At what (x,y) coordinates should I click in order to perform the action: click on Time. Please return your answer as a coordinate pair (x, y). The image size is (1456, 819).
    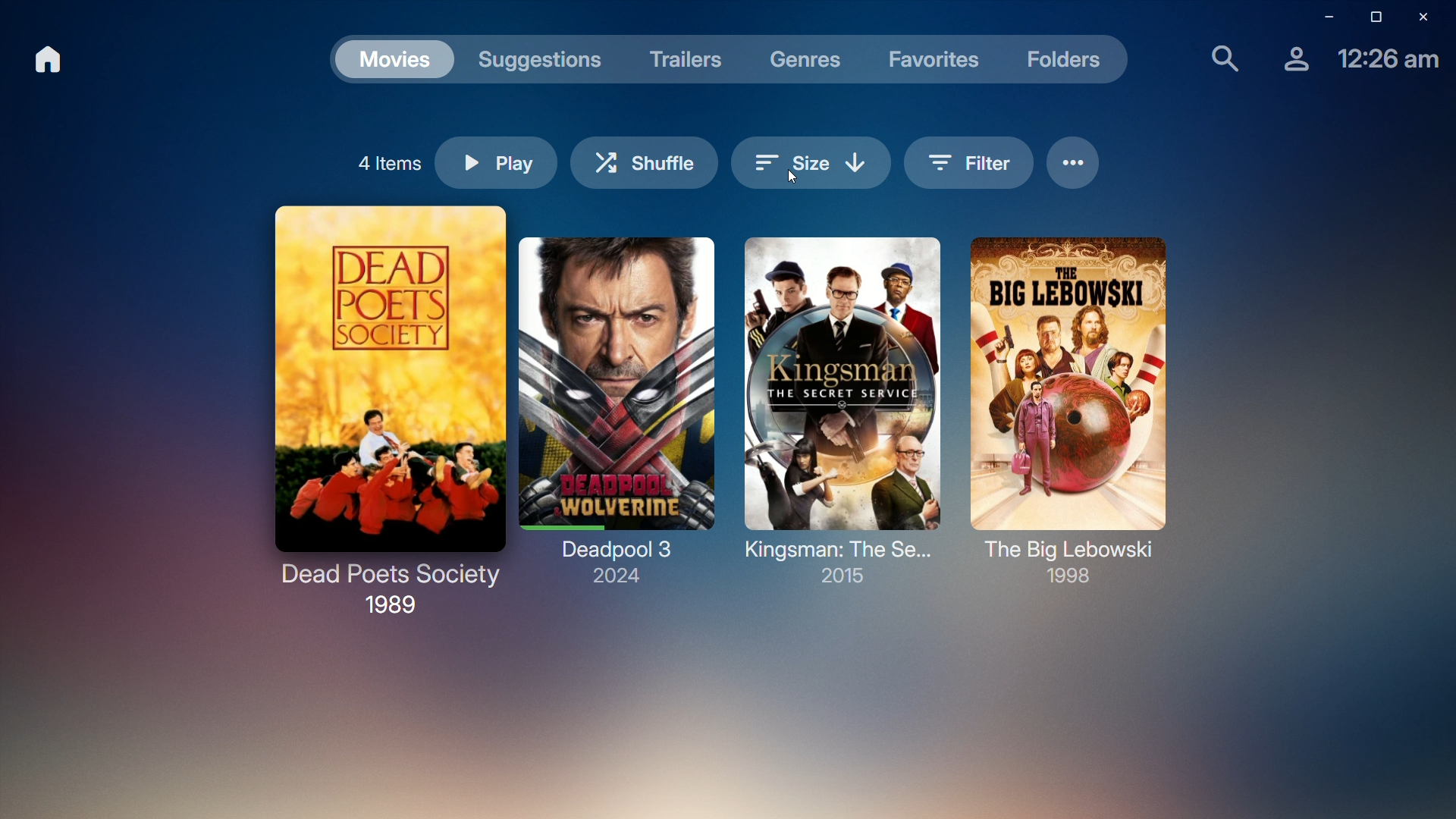
    Looking at the image, I should click on (1384, 64).